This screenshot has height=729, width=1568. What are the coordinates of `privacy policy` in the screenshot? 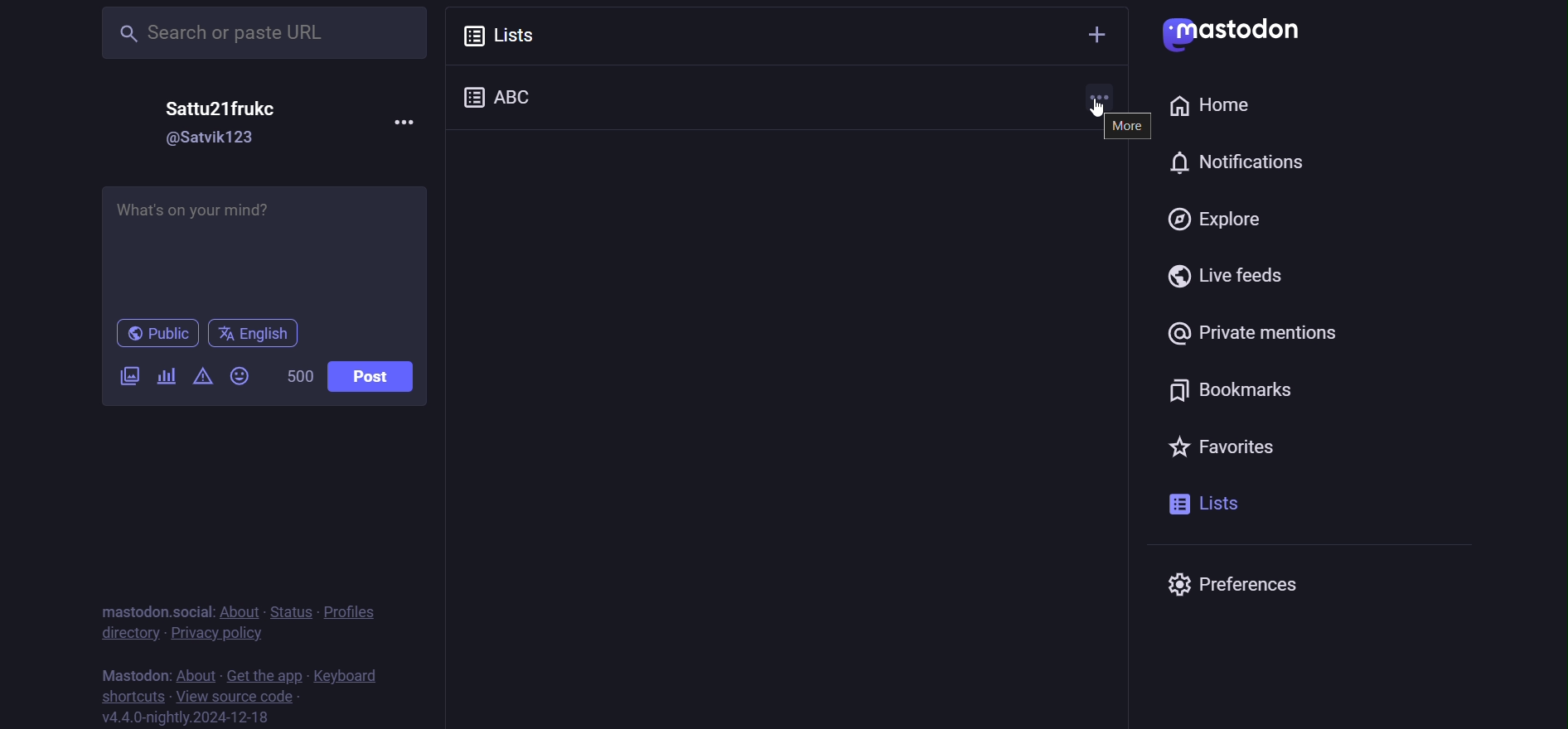 It's located at (217, 633).